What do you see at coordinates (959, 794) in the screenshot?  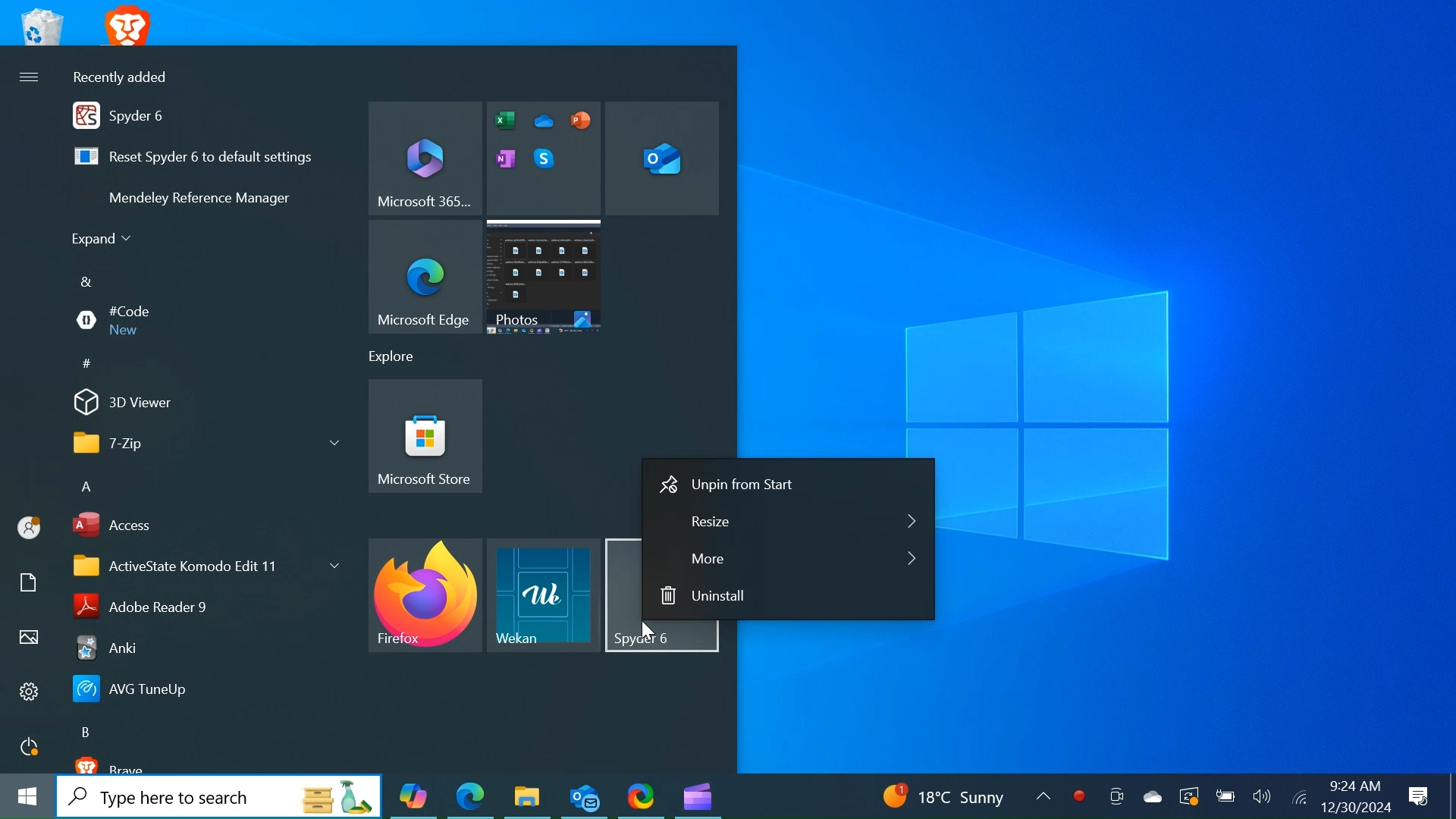 I see `18 C Sunny` at bounding box center [959, 794].